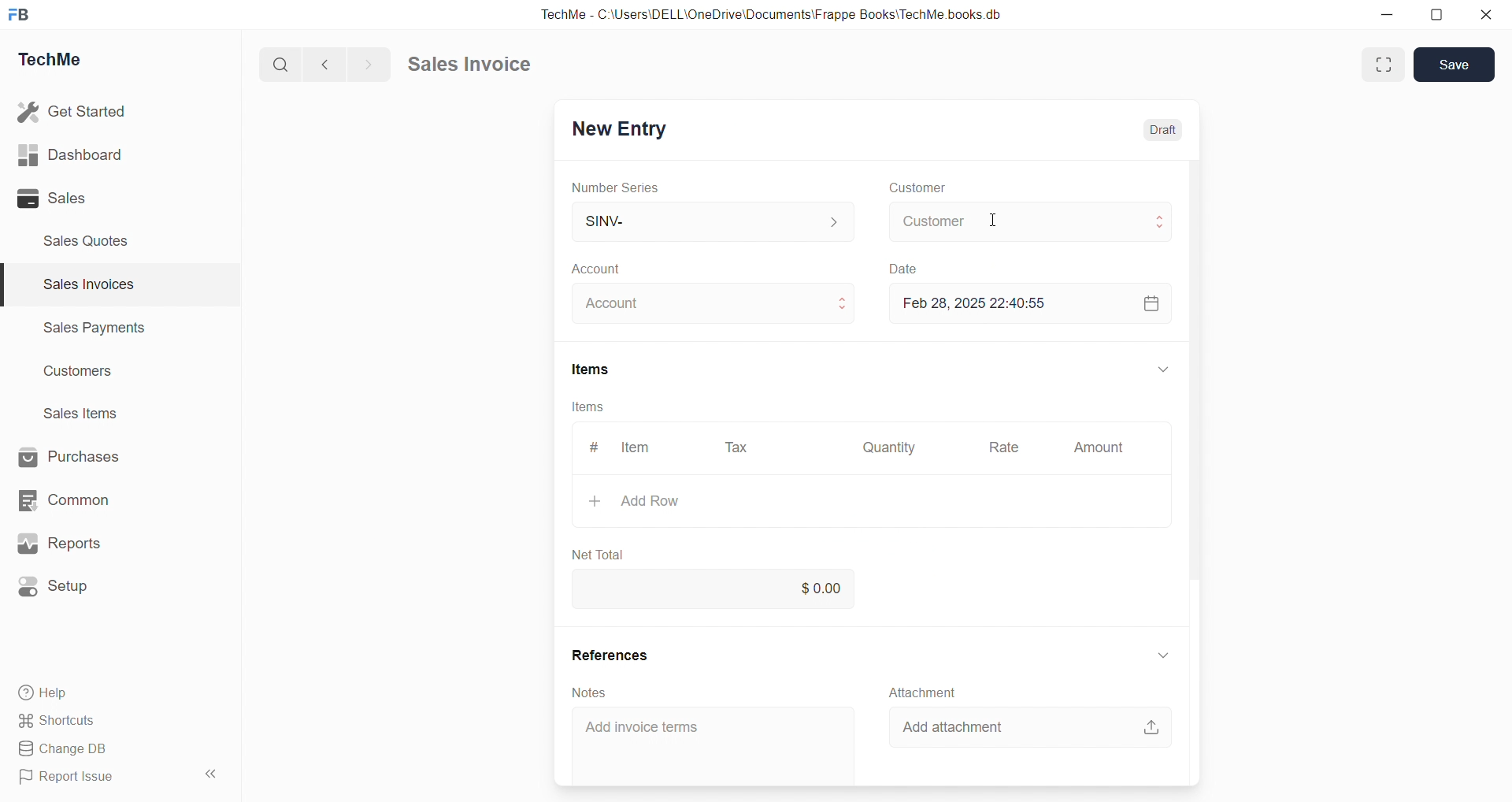 The width and height of the screenshot is (1512, 802). What do you see at coordinates (1455, 64) in the screenshot?
I see `Save` at bounding box center [1455, 64].